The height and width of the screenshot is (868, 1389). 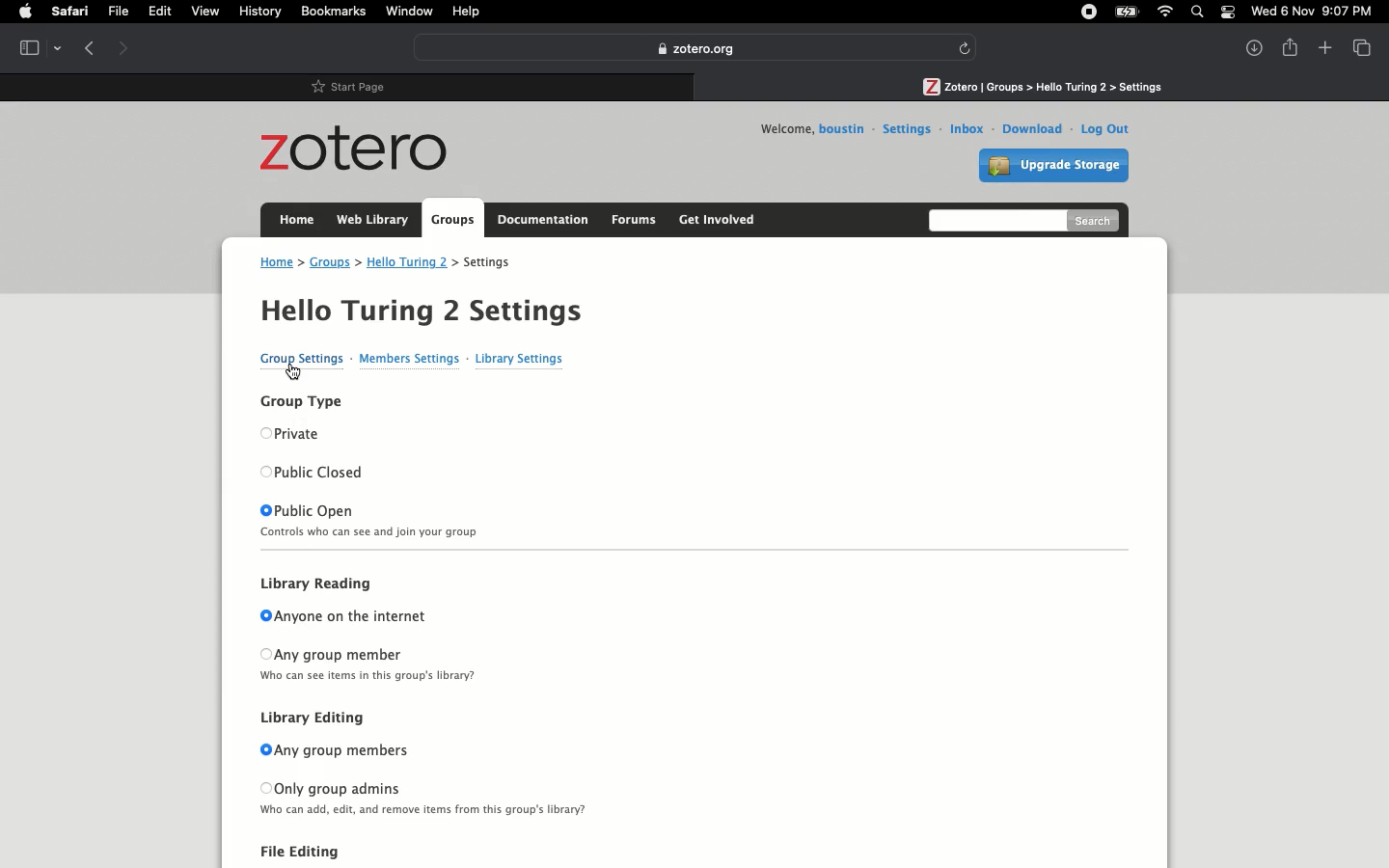 What do you see at coordinates (395, 262) in the screenshot?
I see `Address` at bounding box center [395, 262].